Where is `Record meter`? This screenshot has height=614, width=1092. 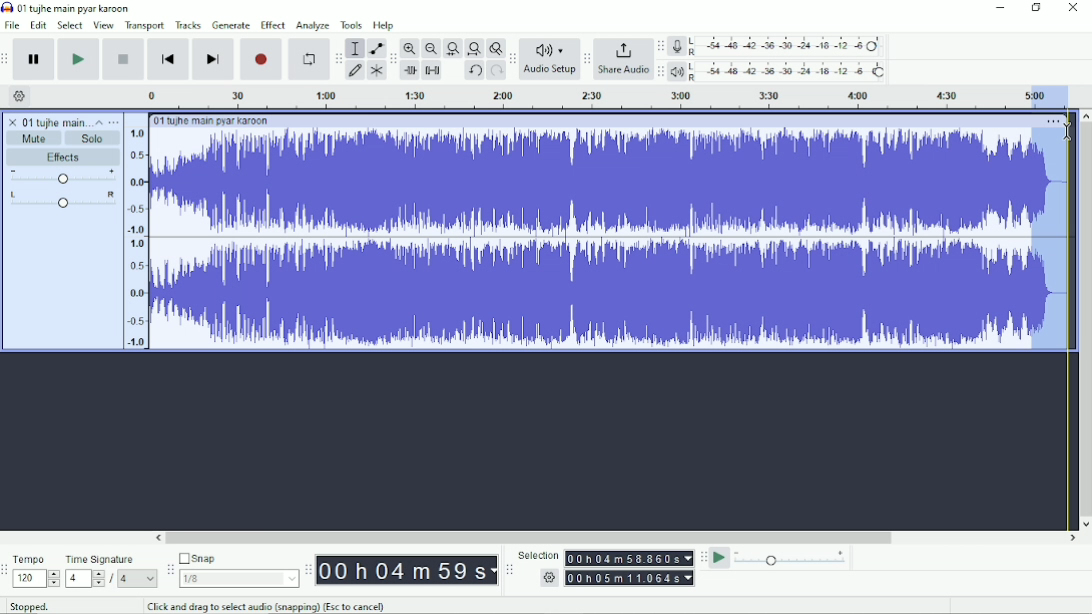
Record meter is located at coordinates (777, 46).